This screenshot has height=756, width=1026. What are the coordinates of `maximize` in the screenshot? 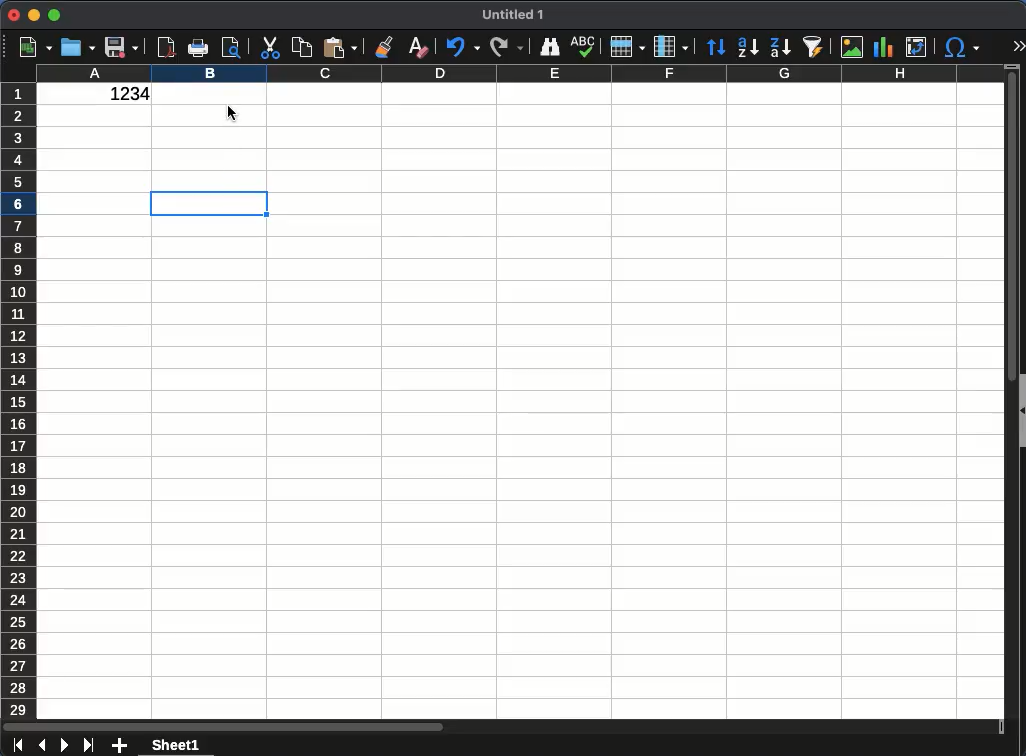 It's located at (54, 16).